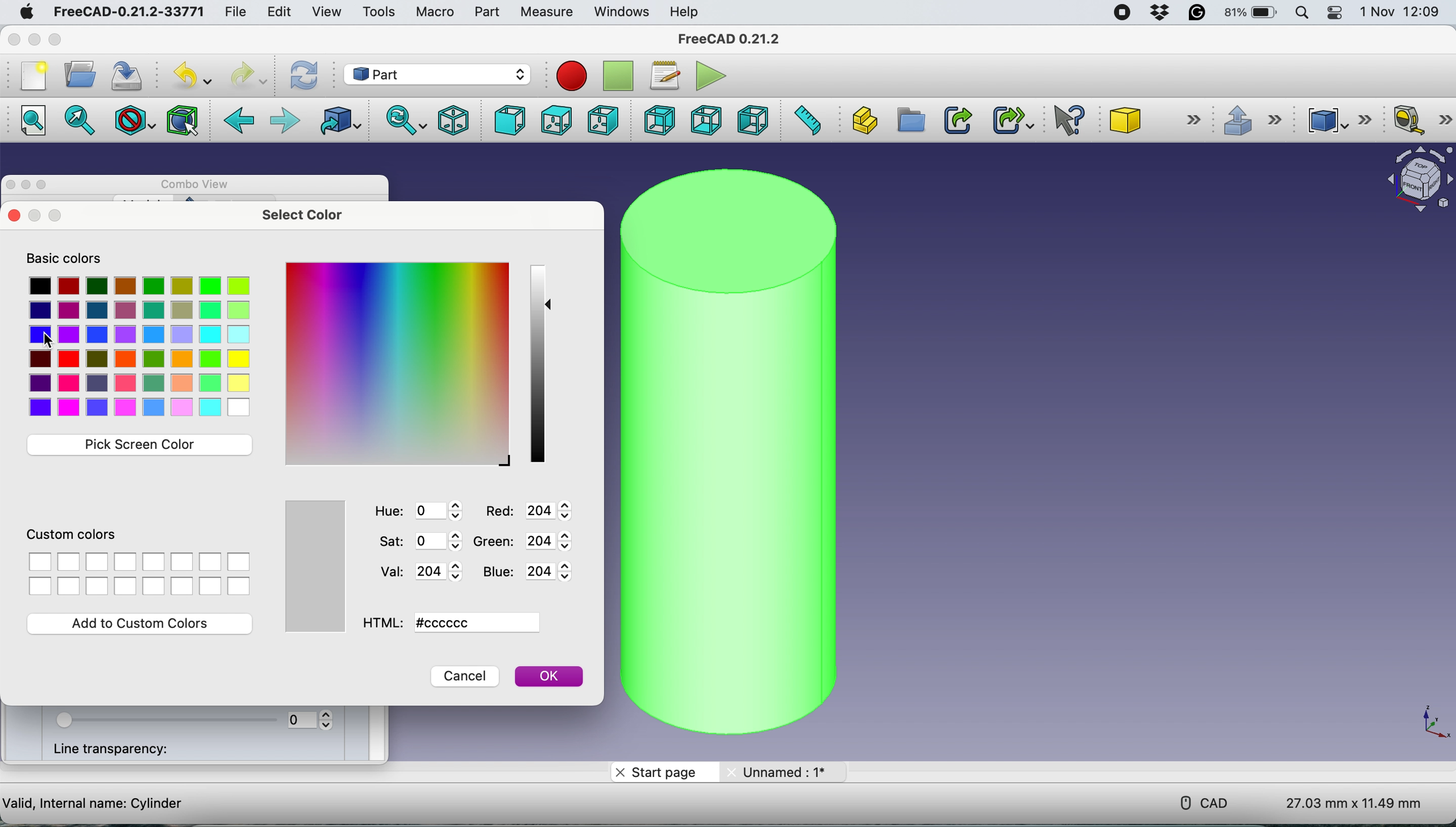 This screenshot has height=827, width=1456. Describe the element at coordinates (94, 804) in the screenshot. I see `cylinder details` at that location.